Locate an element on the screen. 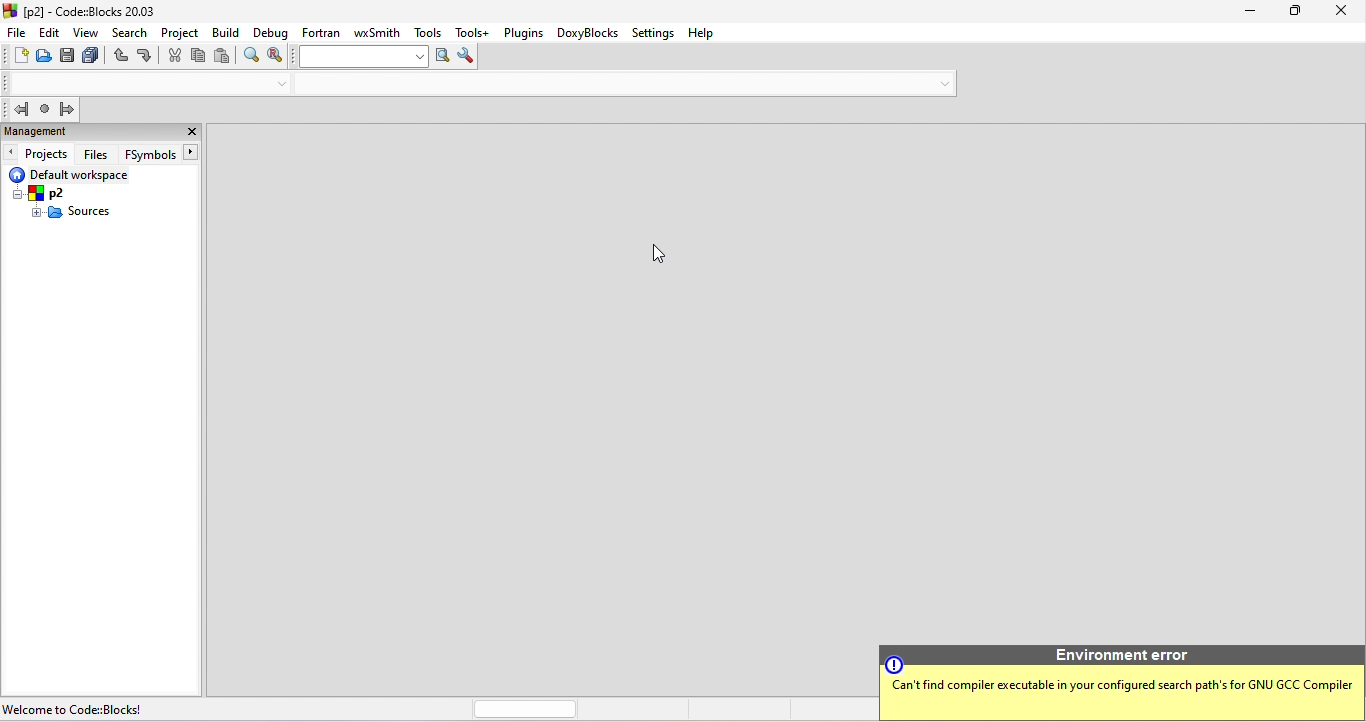 This screenshot has height=722, width=1366. settings is located at coordinates (654, 32).